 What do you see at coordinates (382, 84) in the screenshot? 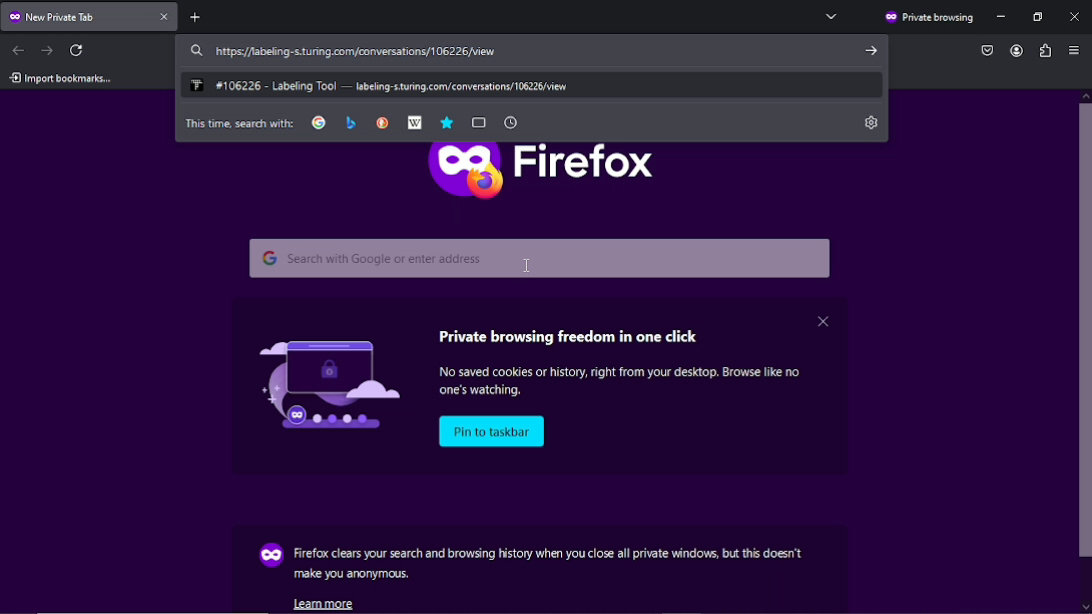
I see `#106226 - Labeling Tool --labeling-s.turing.com/conversations/106226/view` at bounding box center [382, 84].